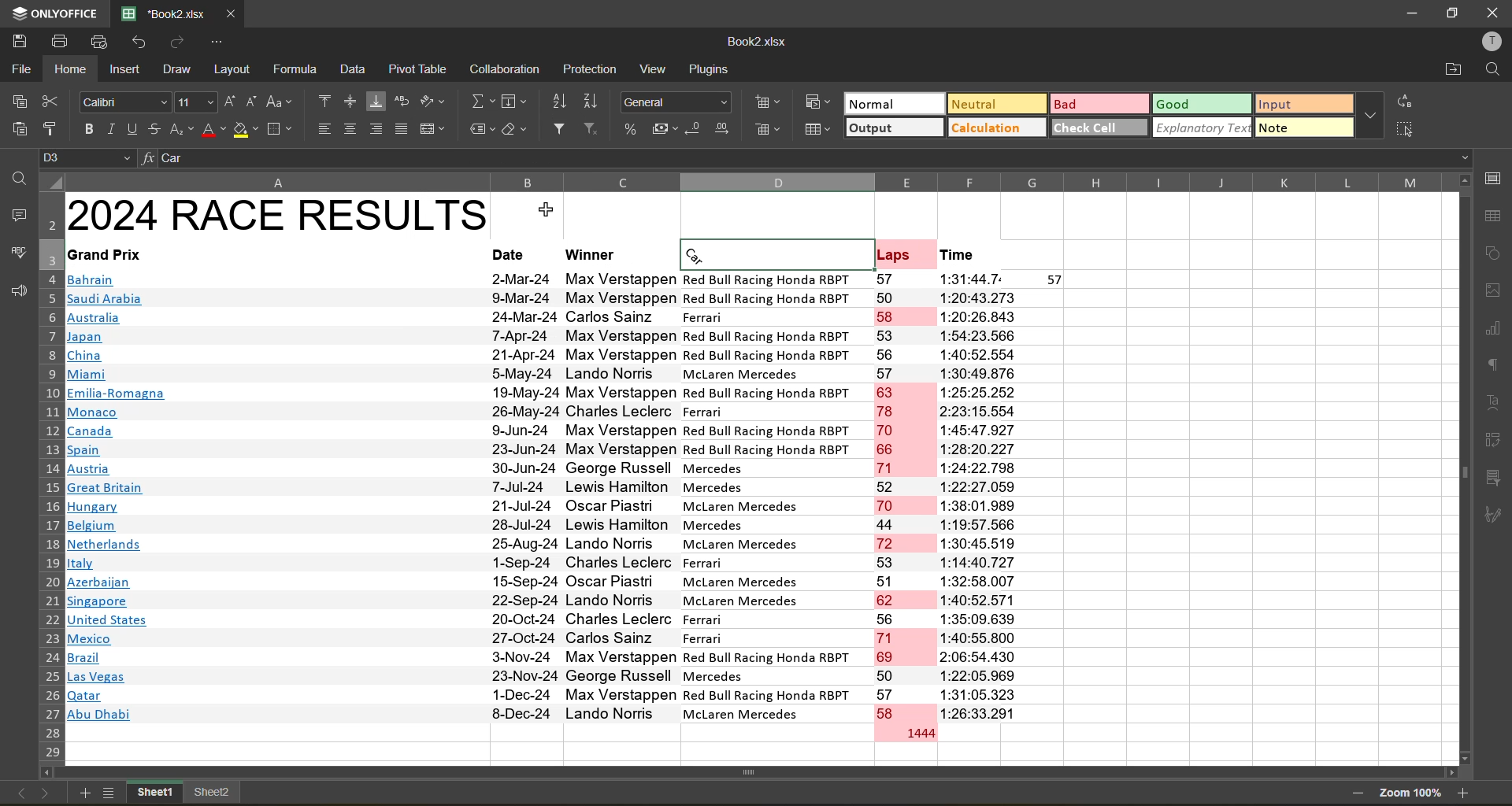 The image size is (1512, 806). What do you see at coordinates (1101, 103) in the screenshot?
I see `bad` at bounding box center [1101, 103].